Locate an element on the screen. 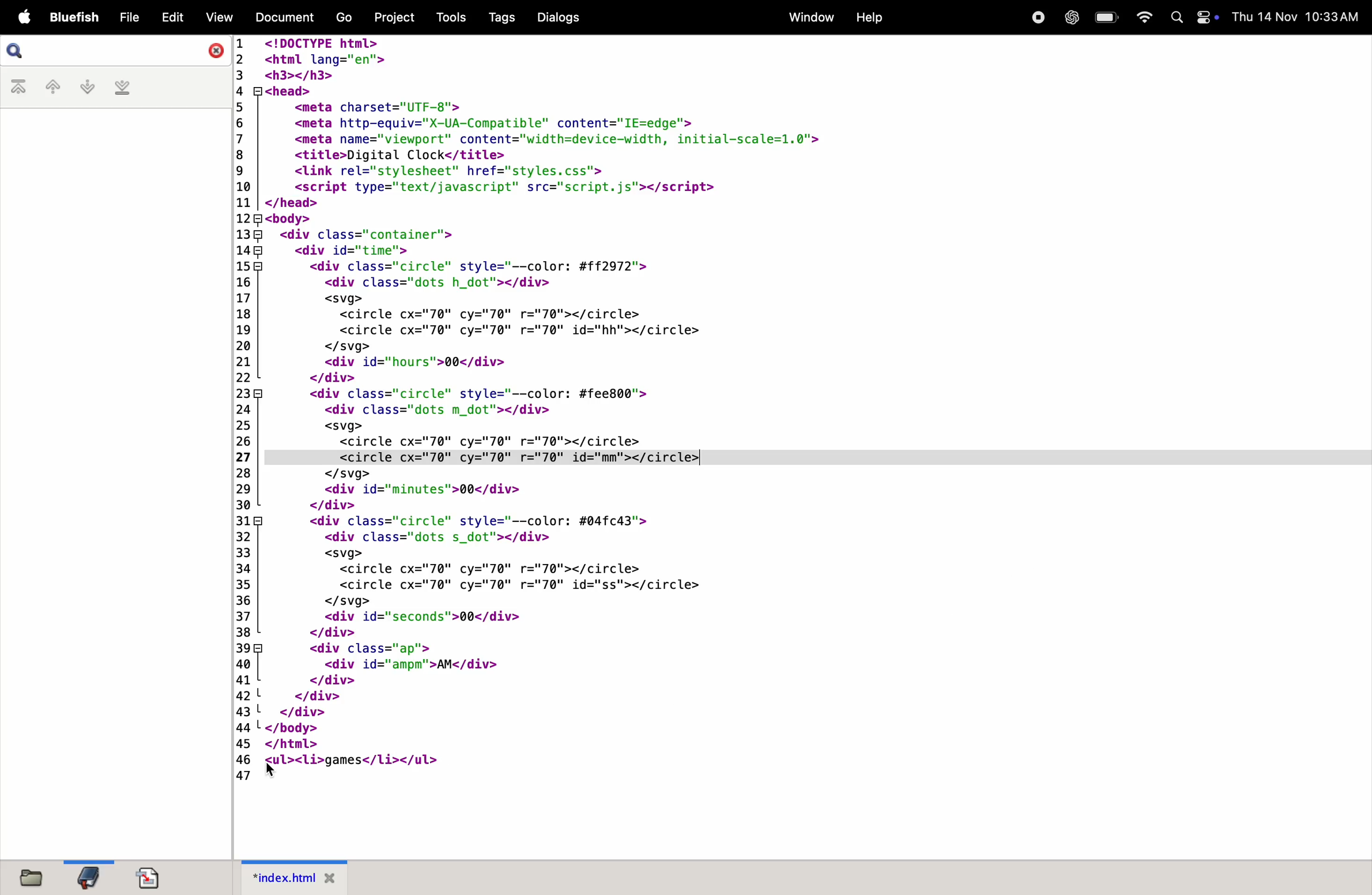 The image size is (1372, 895). help is located at coordinates (872, 16).